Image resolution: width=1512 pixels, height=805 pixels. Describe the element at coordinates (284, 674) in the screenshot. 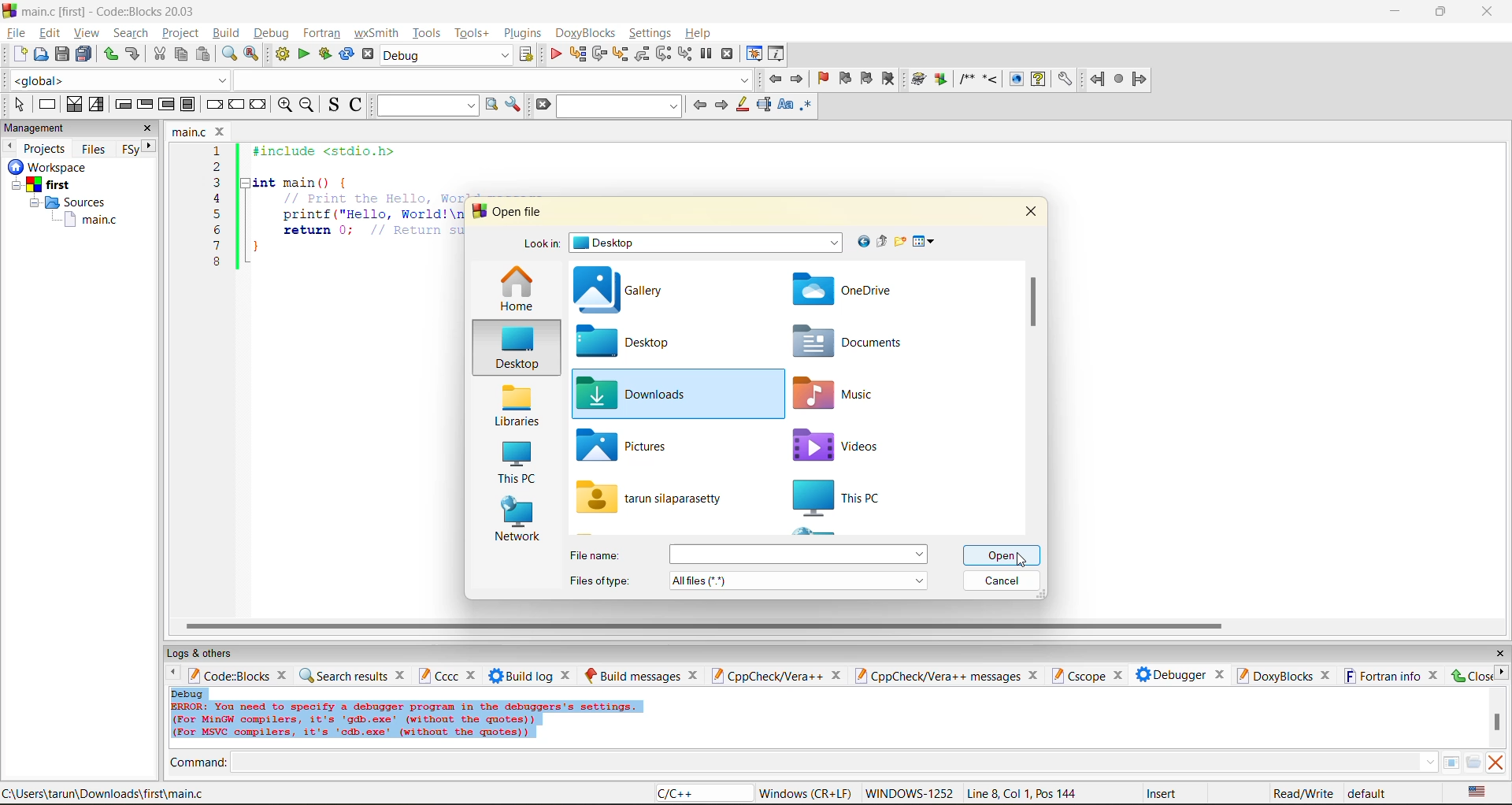

I see `close` at that location.